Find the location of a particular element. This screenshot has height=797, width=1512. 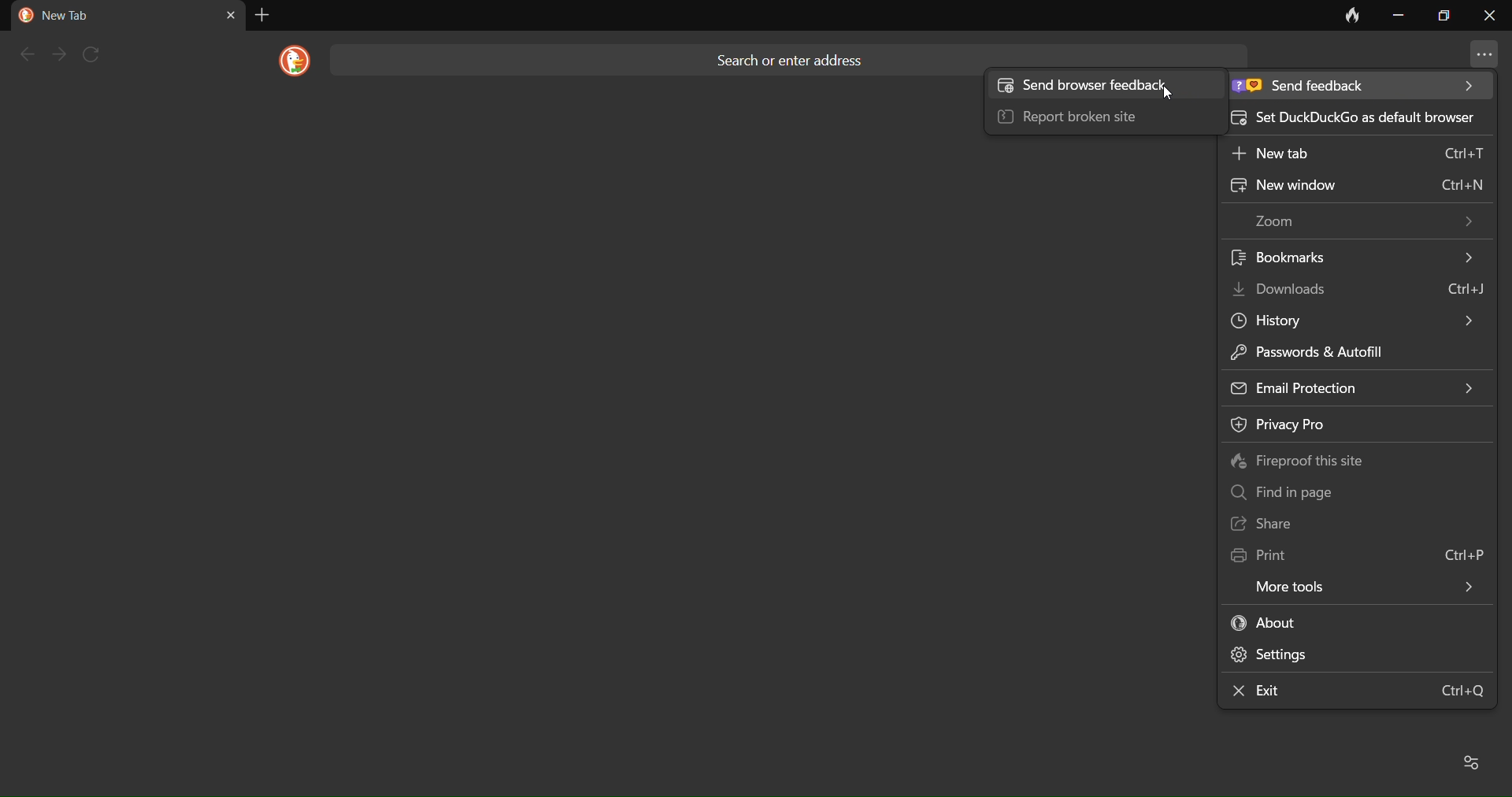

refresh is located at coordinates (98, 54).